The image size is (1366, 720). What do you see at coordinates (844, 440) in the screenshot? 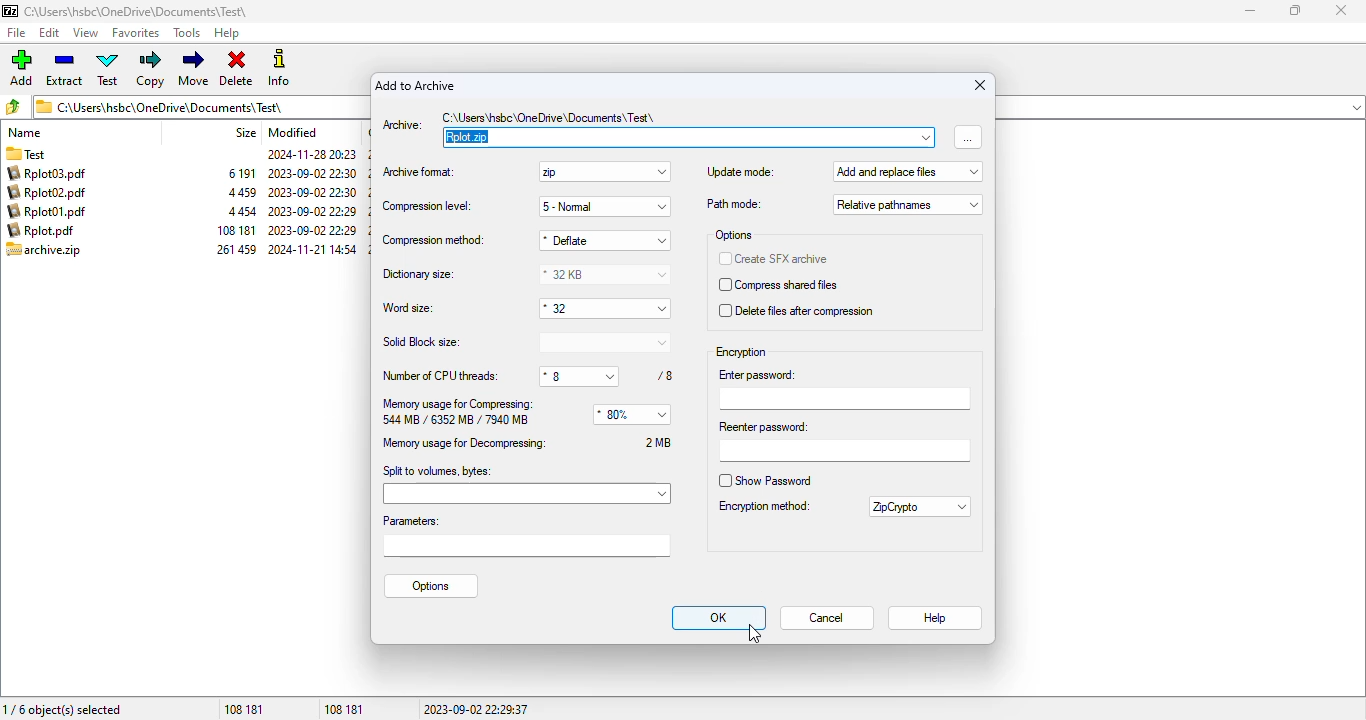
I see `reenter password: ` at bounding box center [844, 440].